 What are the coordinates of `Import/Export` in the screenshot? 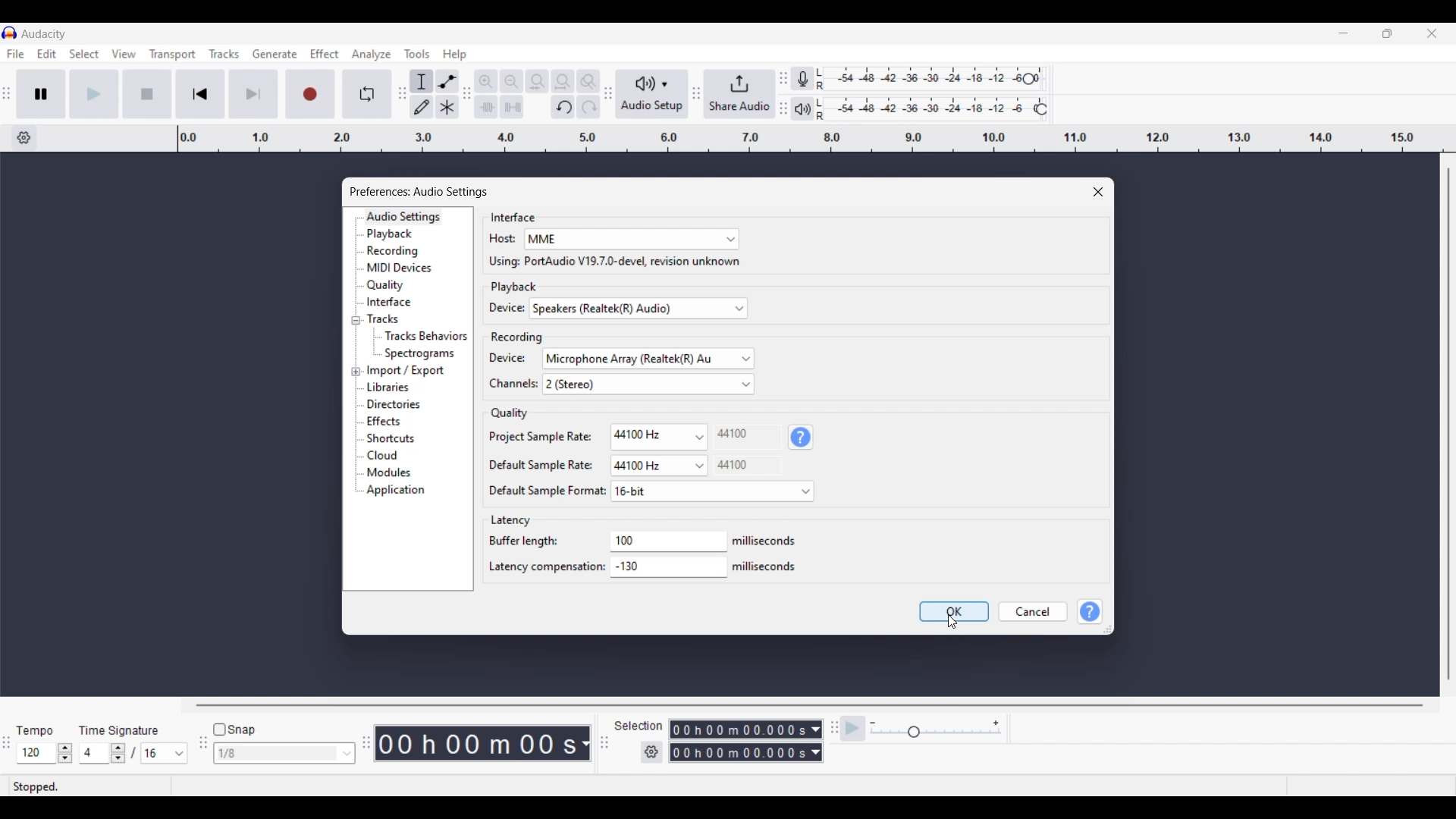 It's located at (409, 371).